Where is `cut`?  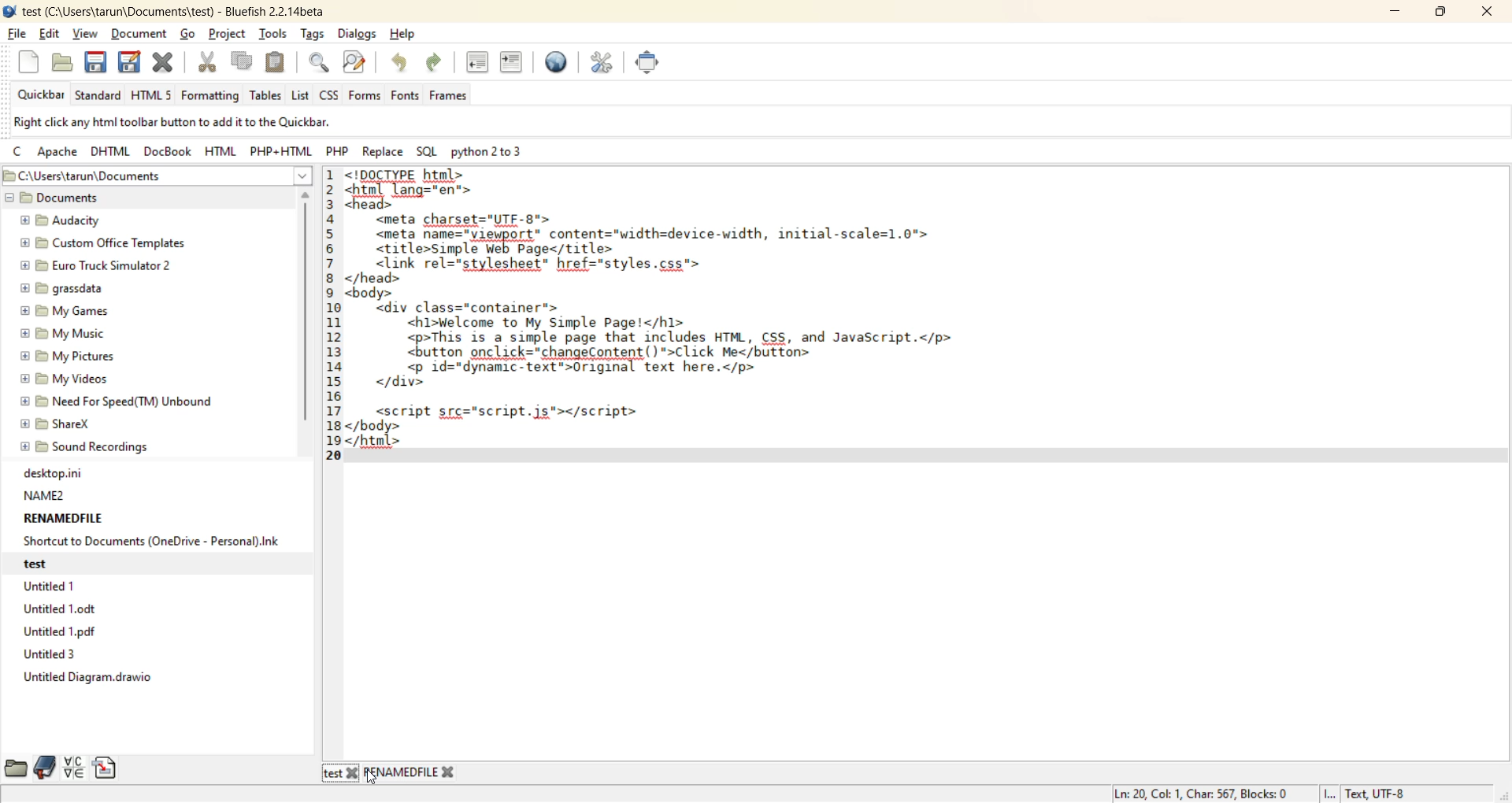 cut is located at coordinates (207, 64).